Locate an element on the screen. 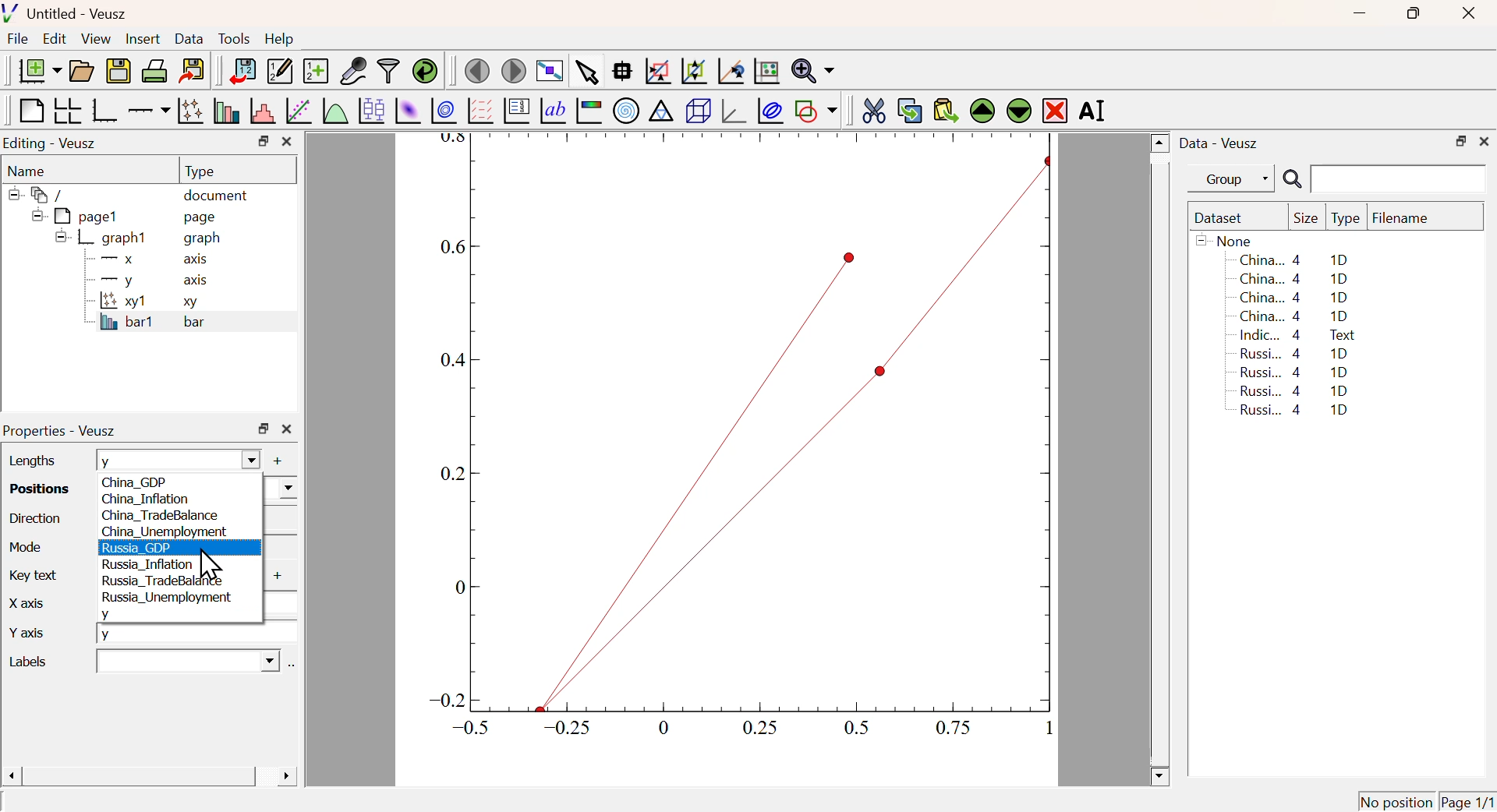 The width and height of the screenshot is (1497, 812). Click to reset graph axes is located at coordinates (728, 72).